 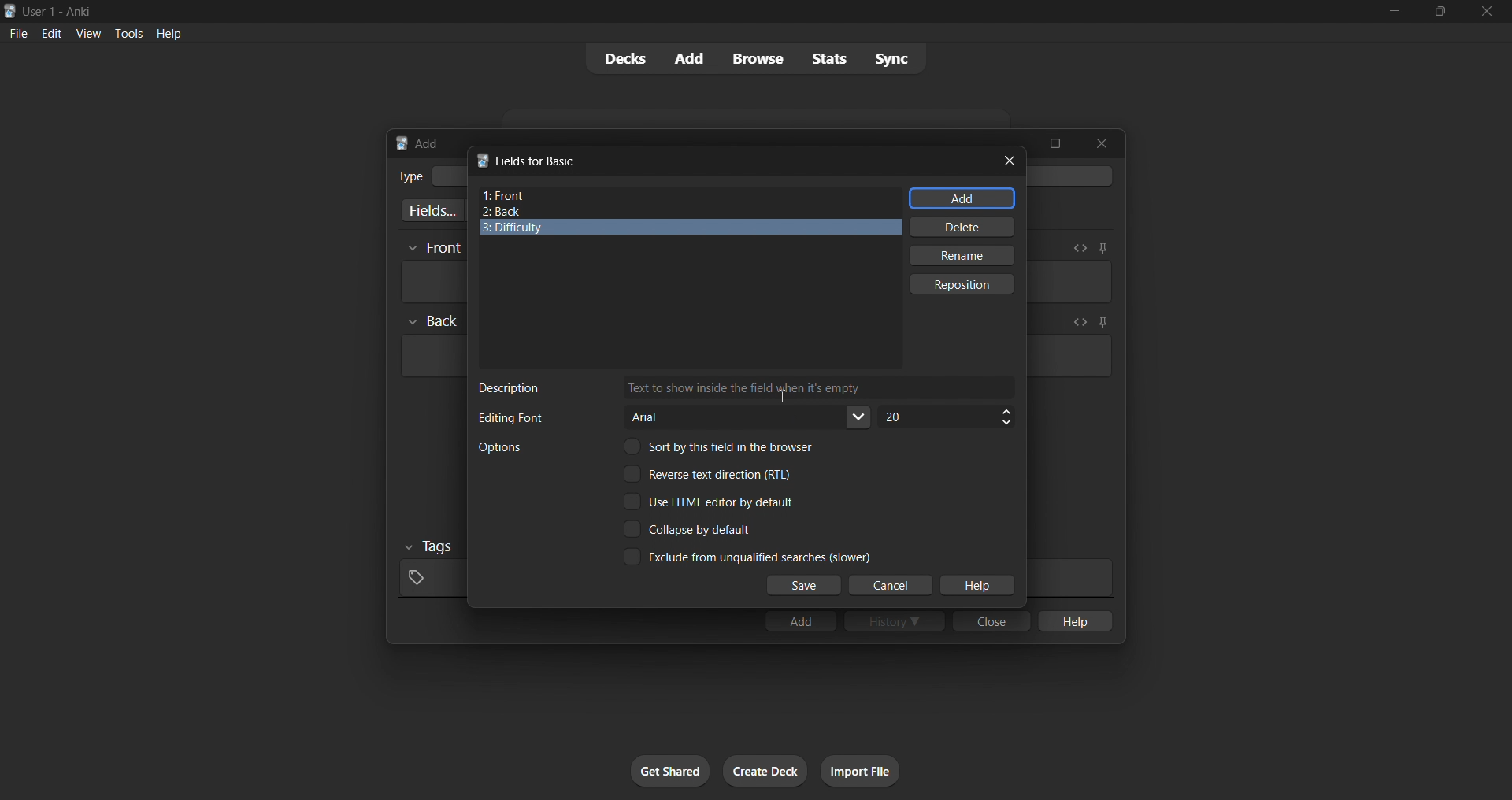 I want to click on close, so click(x=991, y=620).